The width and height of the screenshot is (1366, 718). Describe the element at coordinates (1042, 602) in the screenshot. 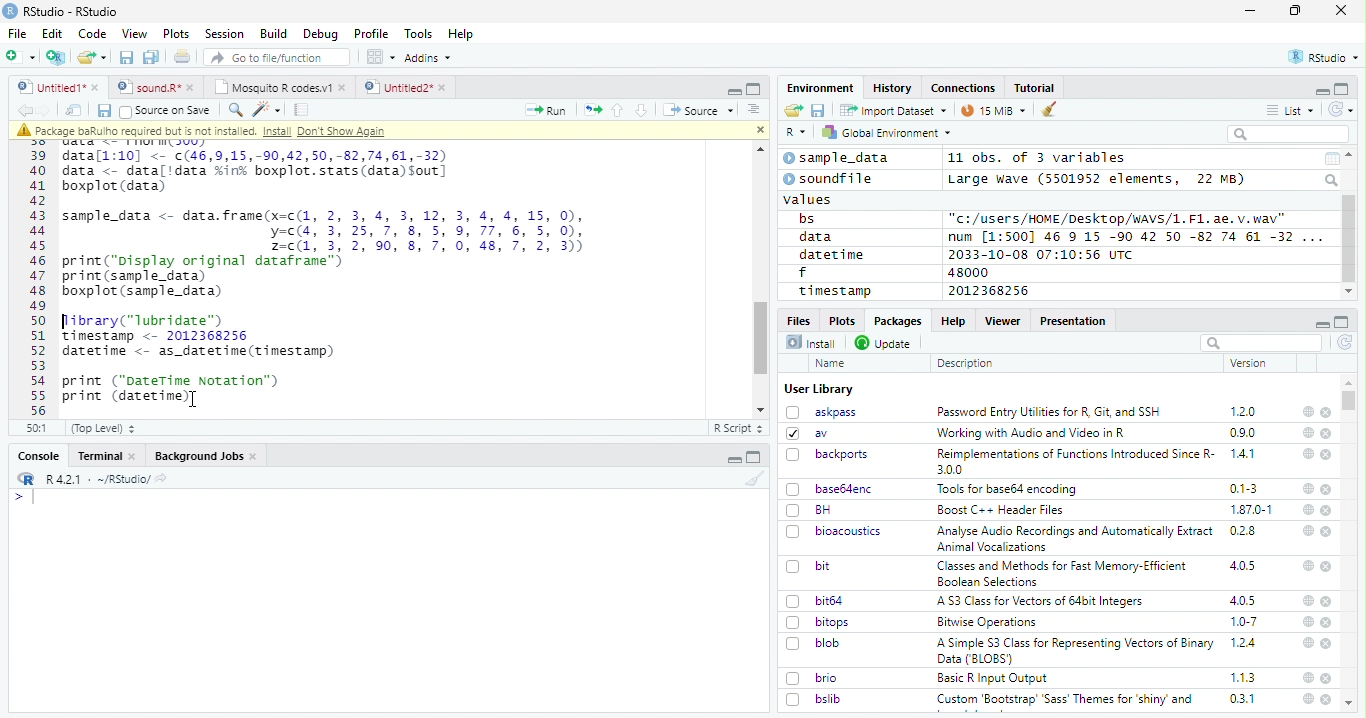

I see `A S3 Class for Vectors of 64bit Integers` at that location.